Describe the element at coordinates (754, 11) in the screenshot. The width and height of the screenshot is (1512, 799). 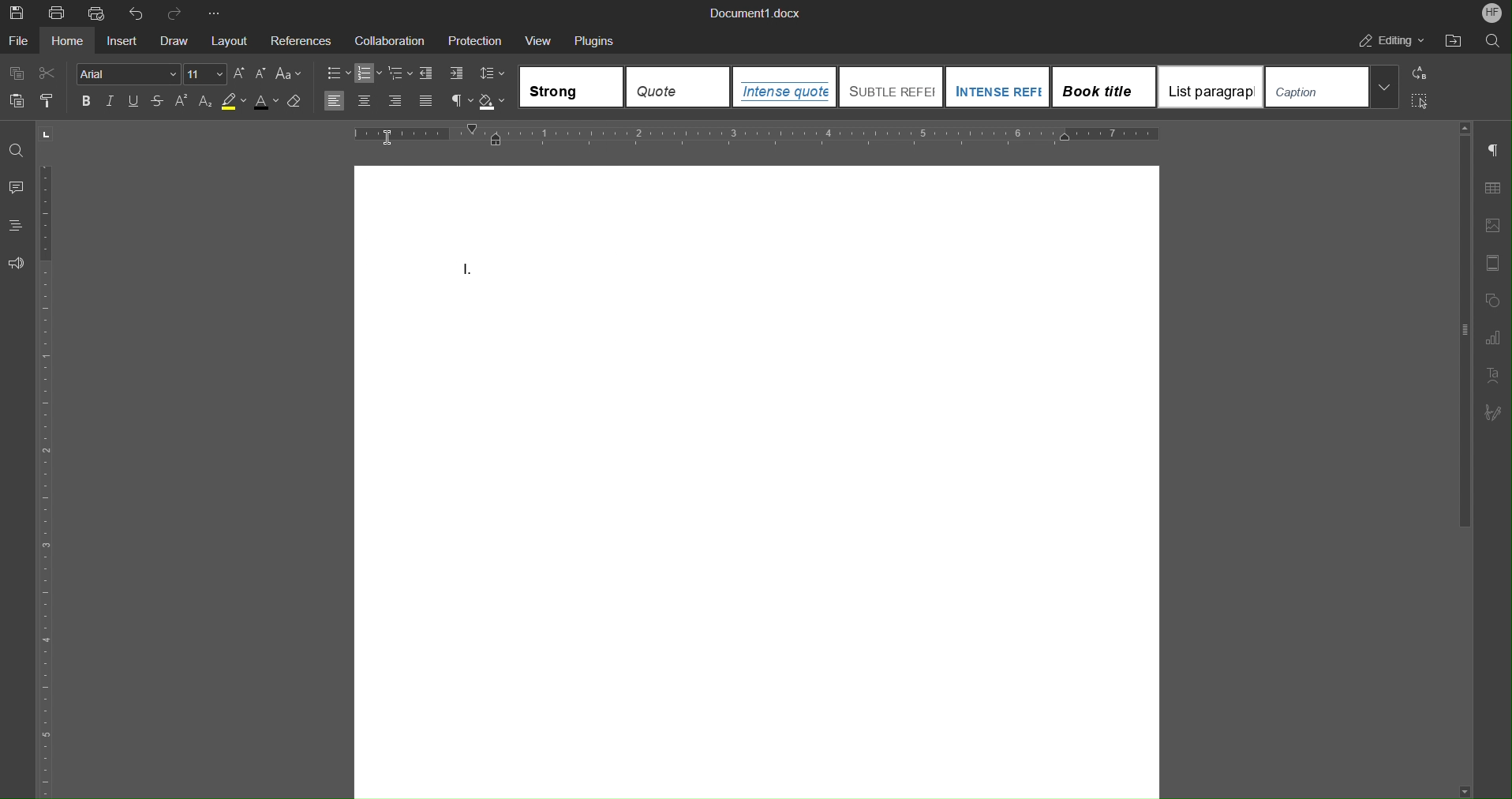
I see `Document Title` at that location.